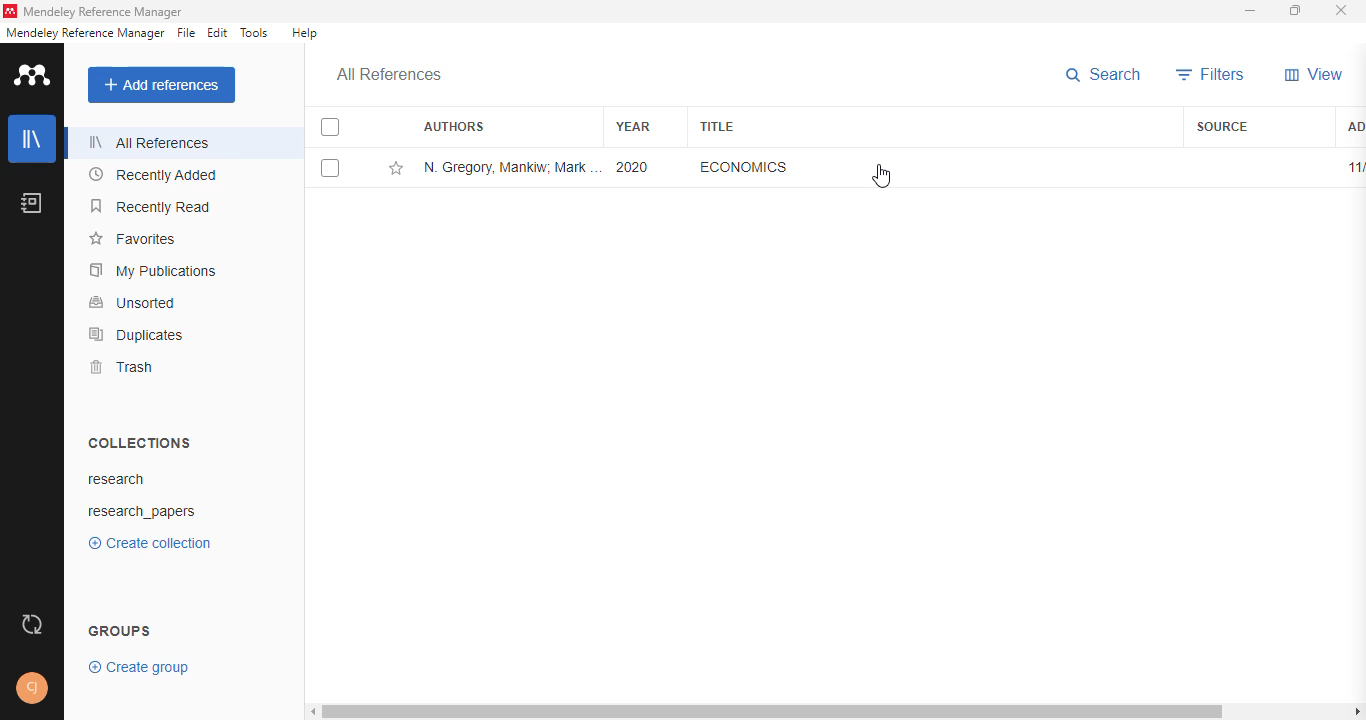 This screenshot has height=720, width=1366. What do you see at coordinates (330, 128) in the screenshot?
I see `select` at bounding box center [330, 128].